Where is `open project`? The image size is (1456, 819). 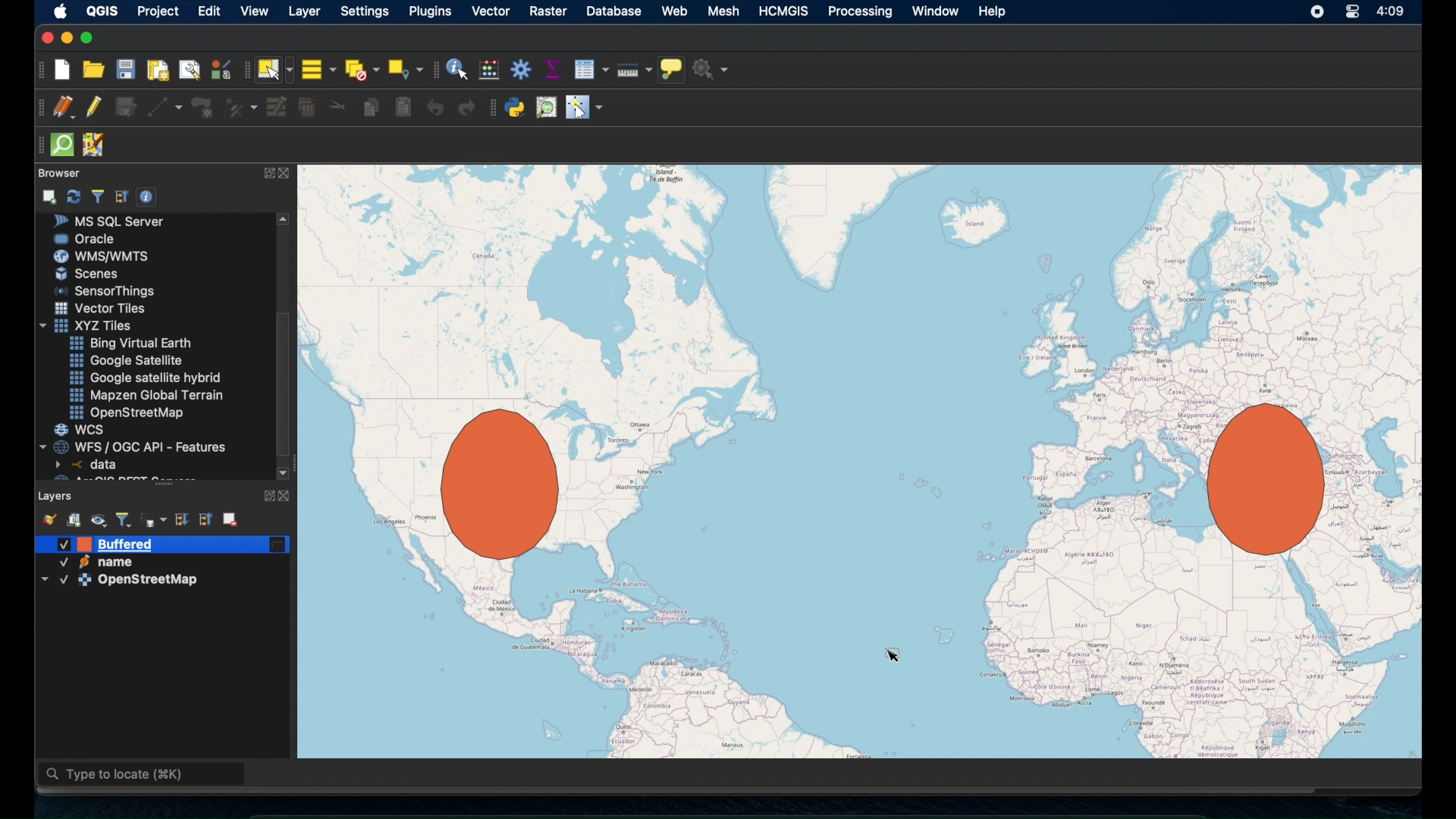
open project is located at coordinates (94, 71).